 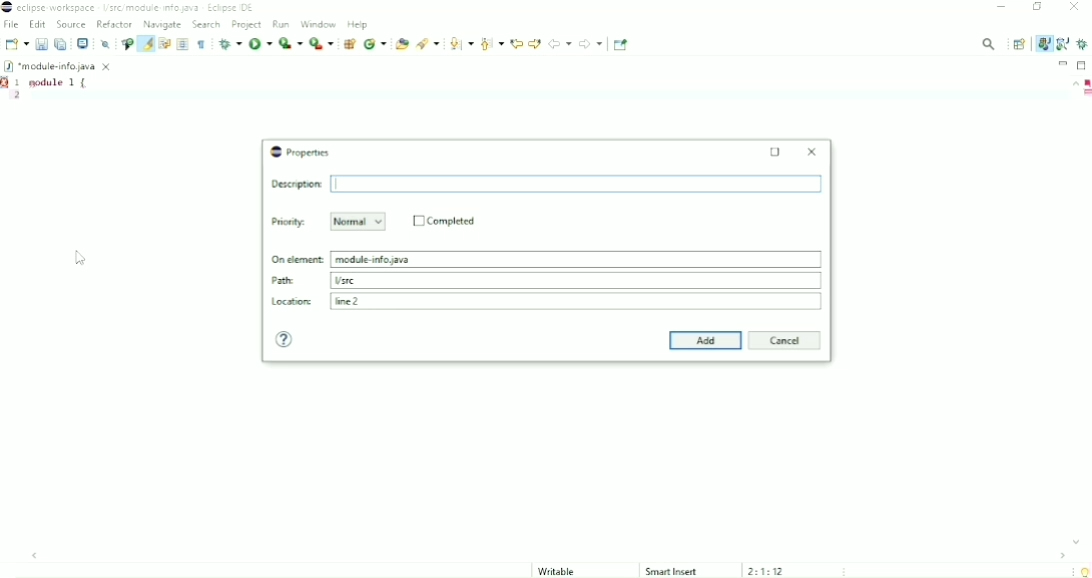 What do you see at coordinates (375, 45) in the screenshot?
I see `New java class` at bounding box center [375, 45].